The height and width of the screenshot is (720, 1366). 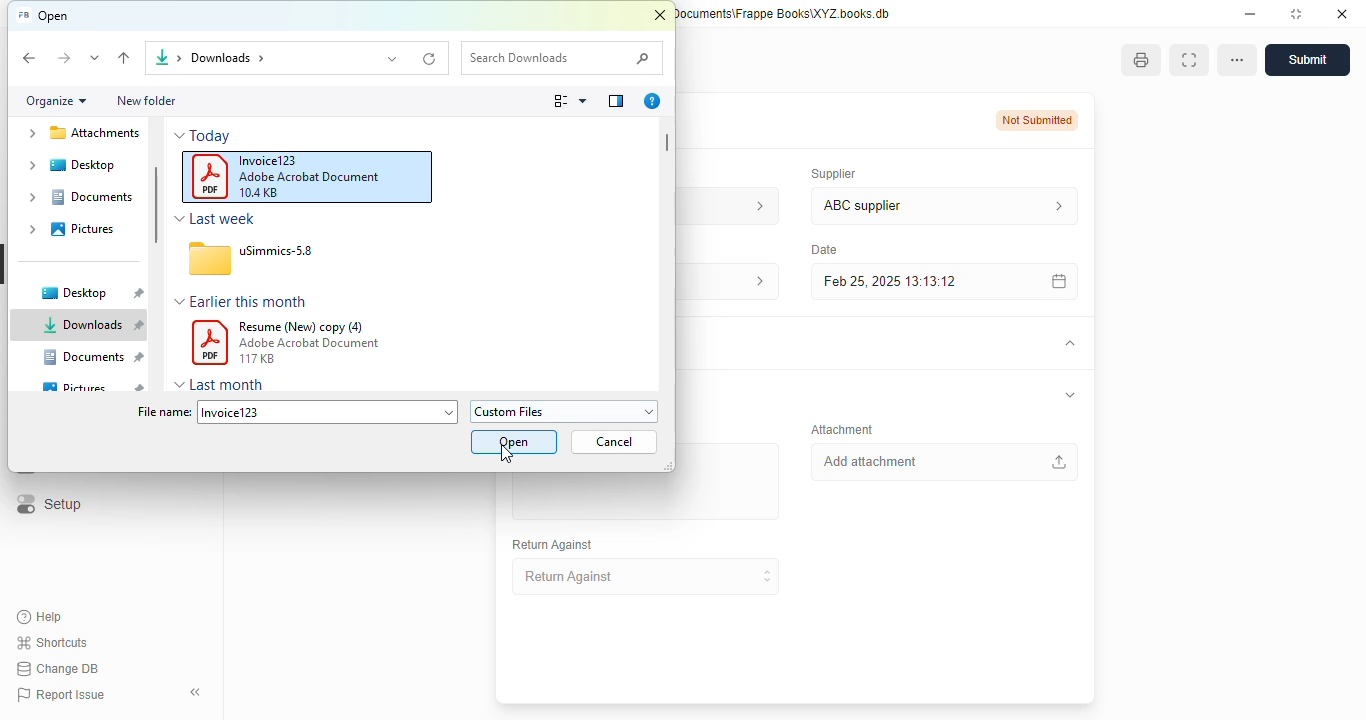 What do you see at coordinates (125, 59) in the screenshot?
I see `up to "desktop"` at bounding box center [125, 59].